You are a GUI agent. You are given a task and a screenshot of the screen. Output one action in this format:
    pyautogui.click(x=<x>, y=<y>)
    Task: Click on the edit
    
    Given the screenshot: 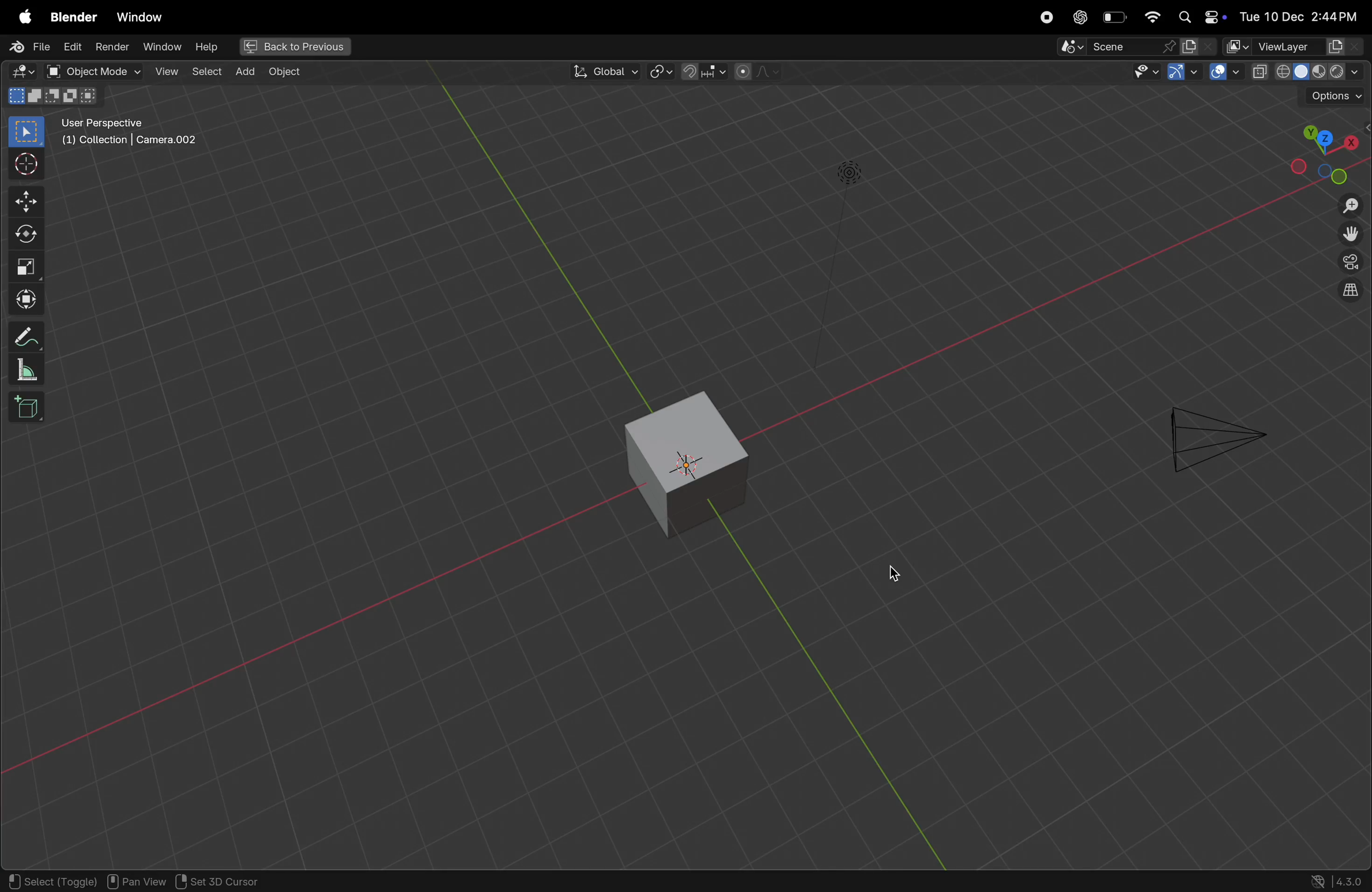 What is the action you would take?
    pyautogui.click(x=74, y=48)
    